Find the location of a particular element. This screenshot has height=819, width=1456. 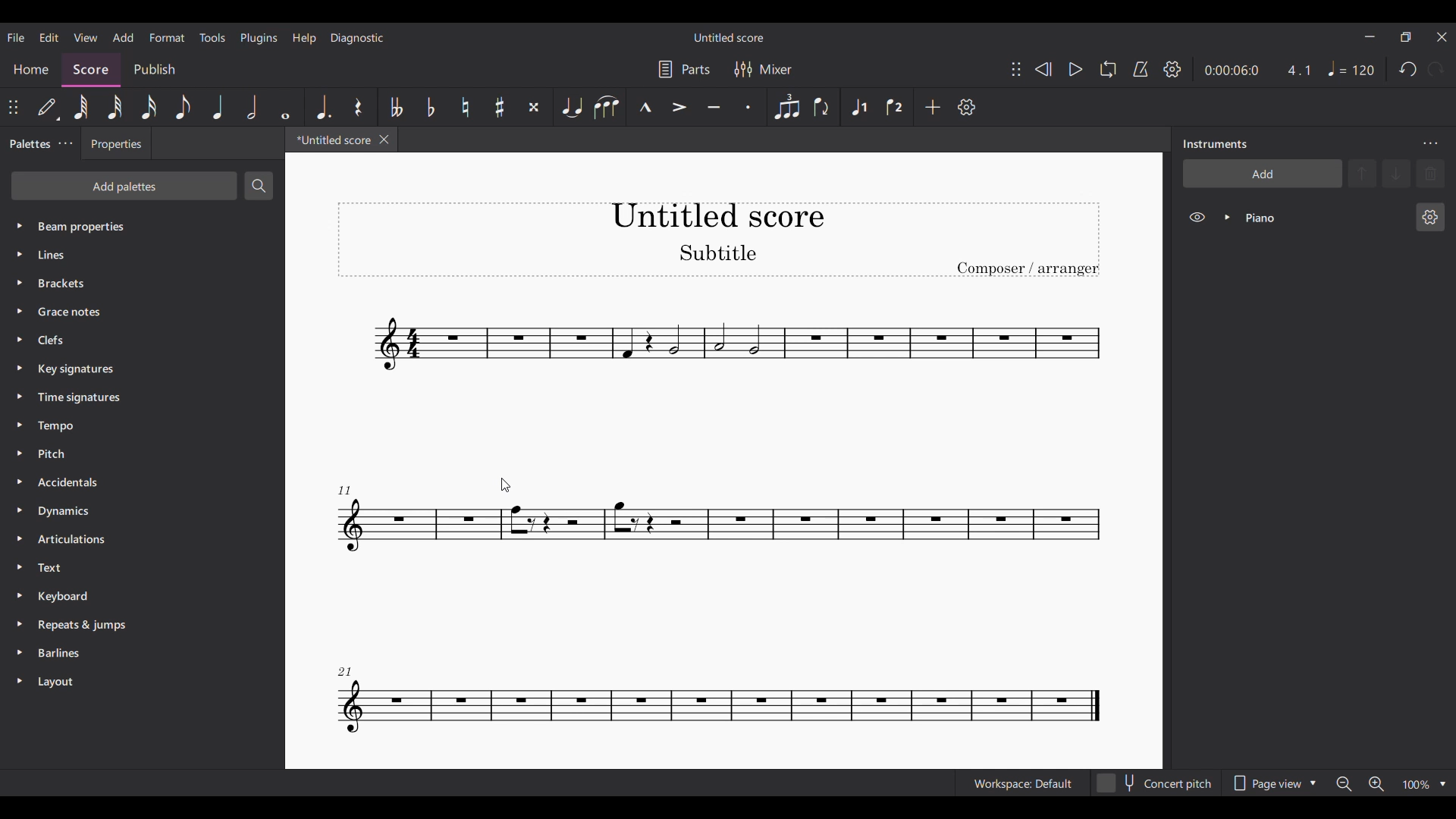

Change position of toolbar is located at coordinates (14, 107).